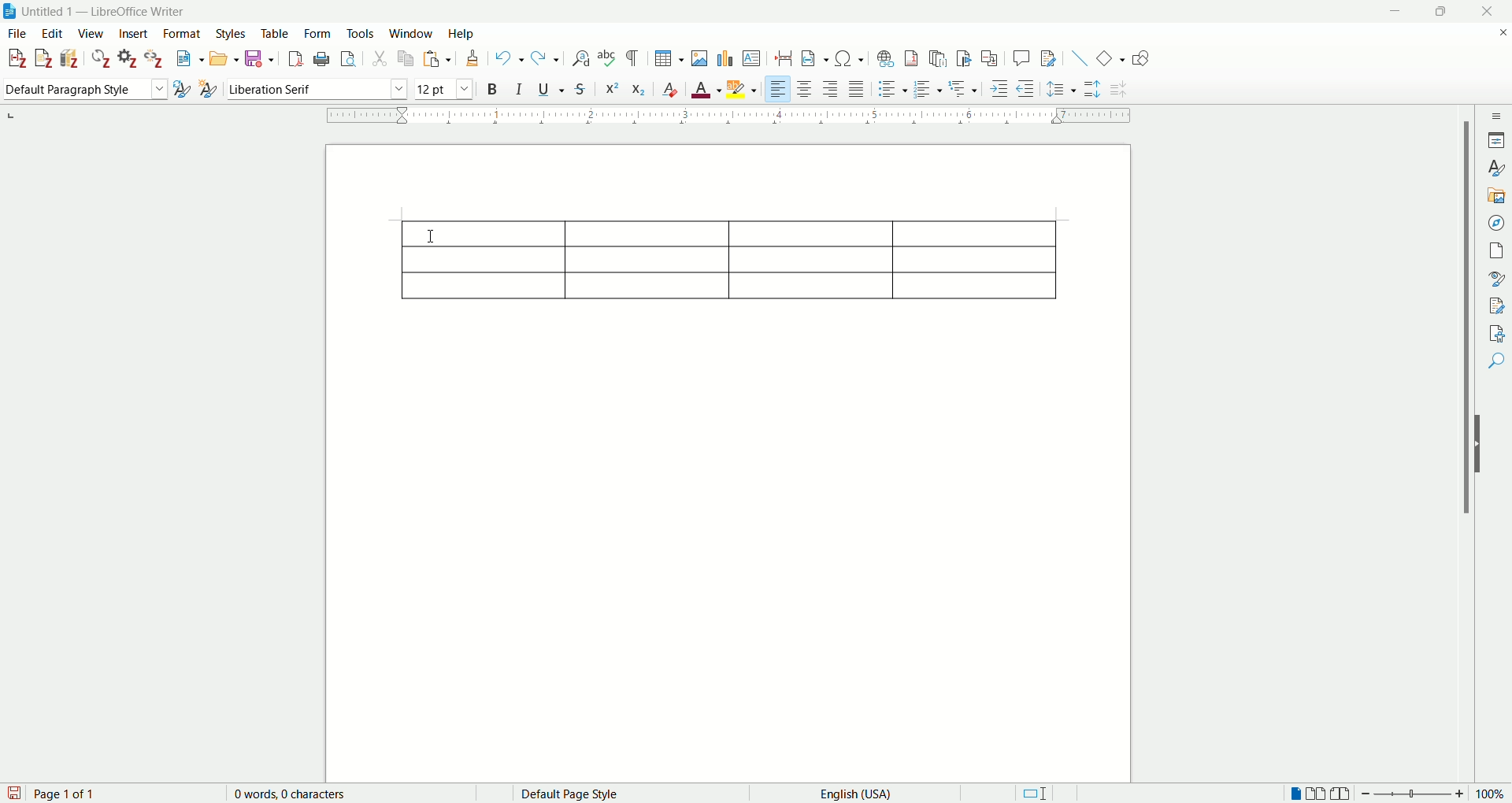 This screenshot has width=1512, height=803. I want to click on strikethrough, so click(581, 89).